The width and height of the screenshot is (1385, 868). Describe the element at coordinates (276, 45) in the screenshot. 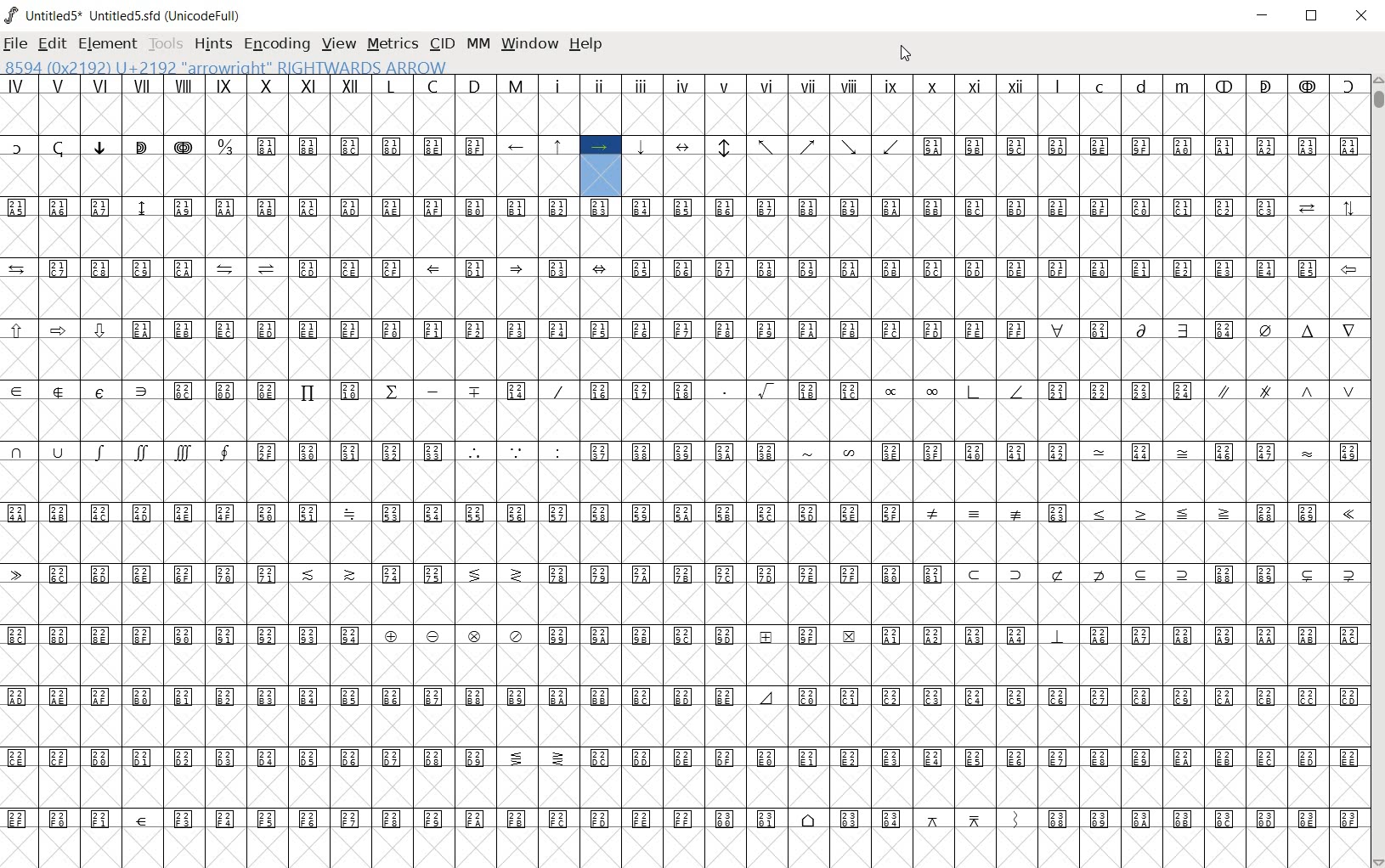

I see `ENCODING` at that location.